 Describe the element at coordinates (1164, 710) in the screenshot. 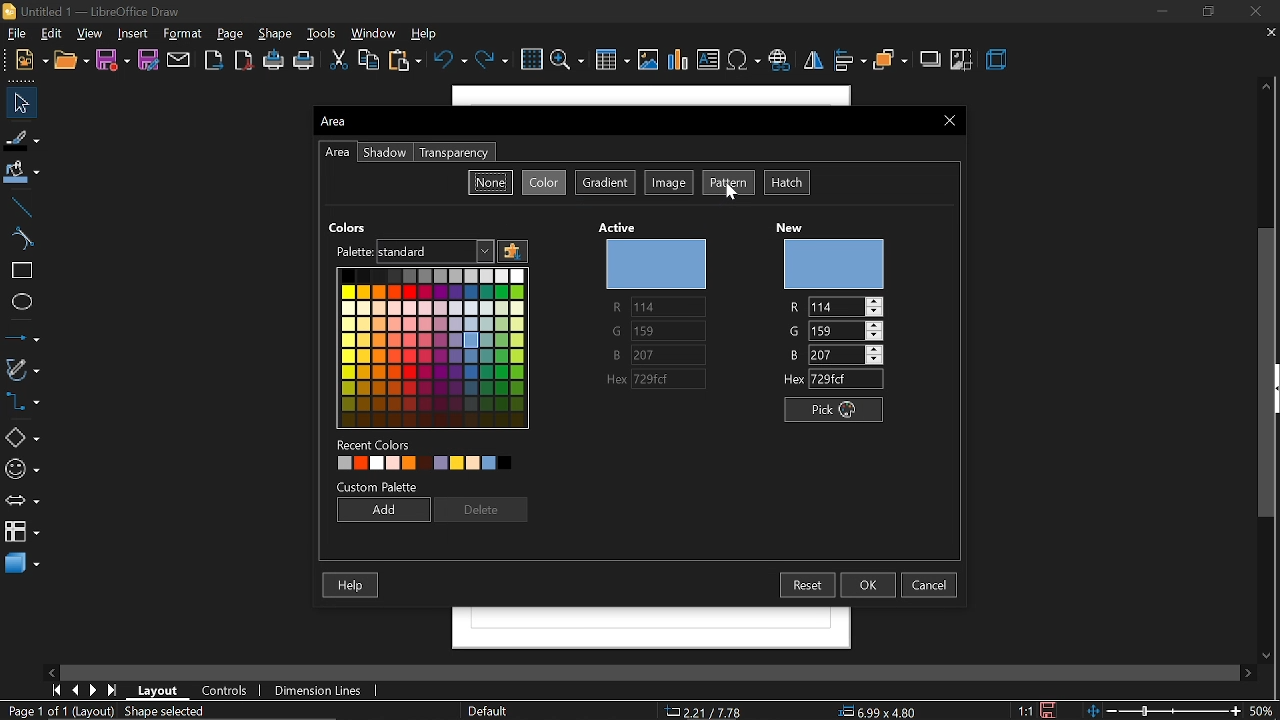

I see `change zoom` at that location.